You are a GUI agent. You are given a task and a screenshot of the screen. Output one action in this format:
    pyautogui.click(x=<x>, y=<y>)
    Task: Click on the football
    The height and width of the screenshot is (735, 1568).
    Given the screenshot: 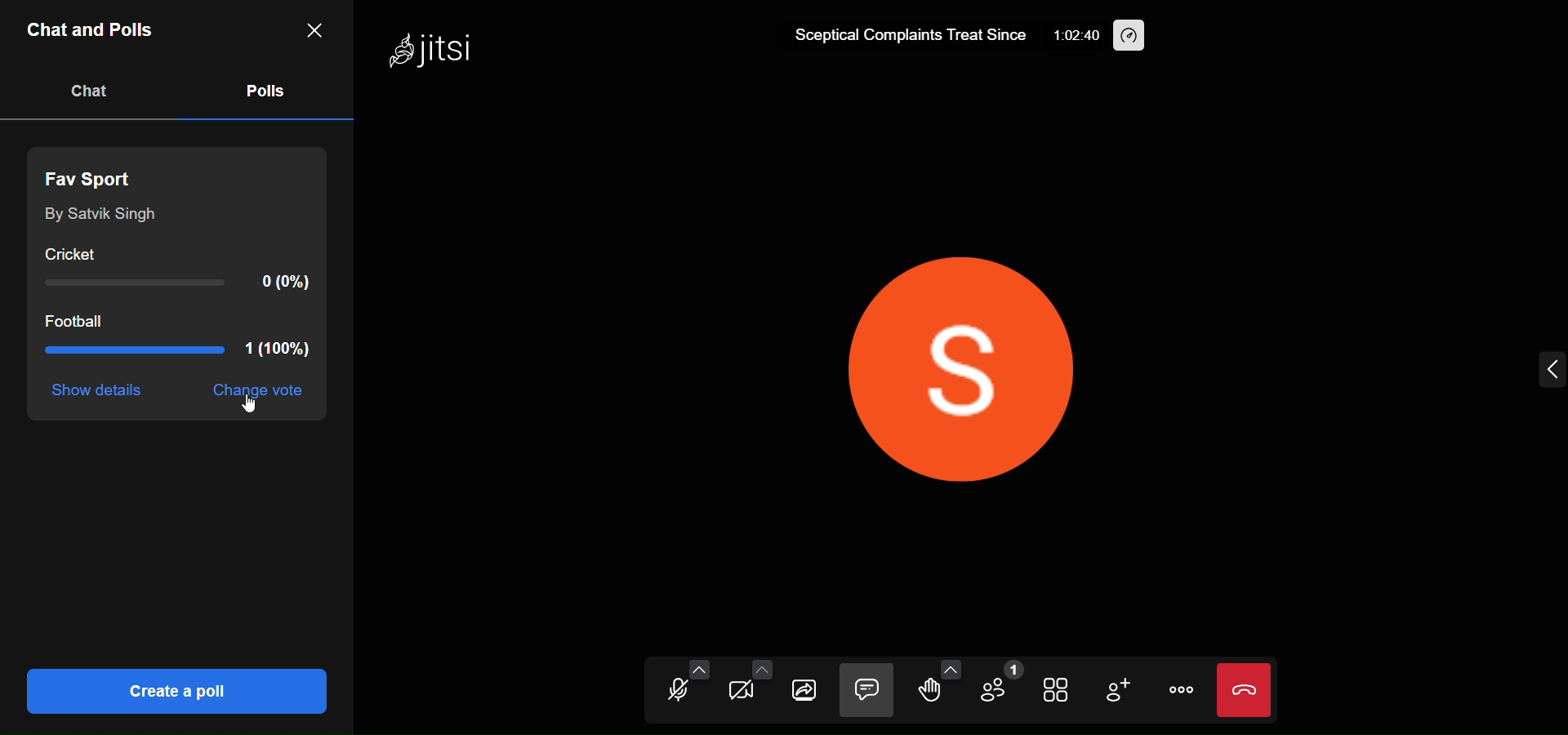 What is the action you would take?
    pyautogui.click(x=82, y=323)
    